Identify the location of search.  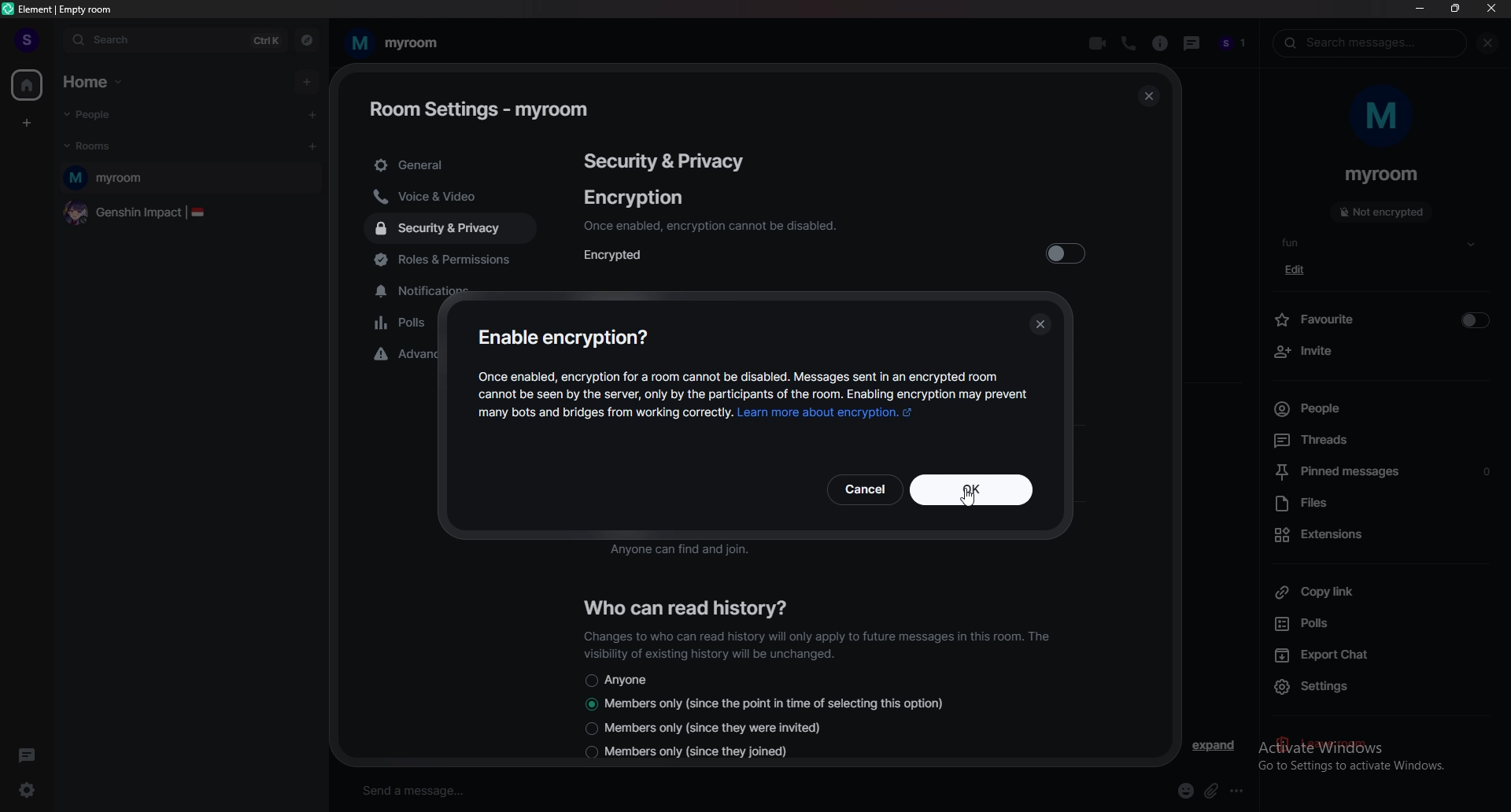
(139, 42).